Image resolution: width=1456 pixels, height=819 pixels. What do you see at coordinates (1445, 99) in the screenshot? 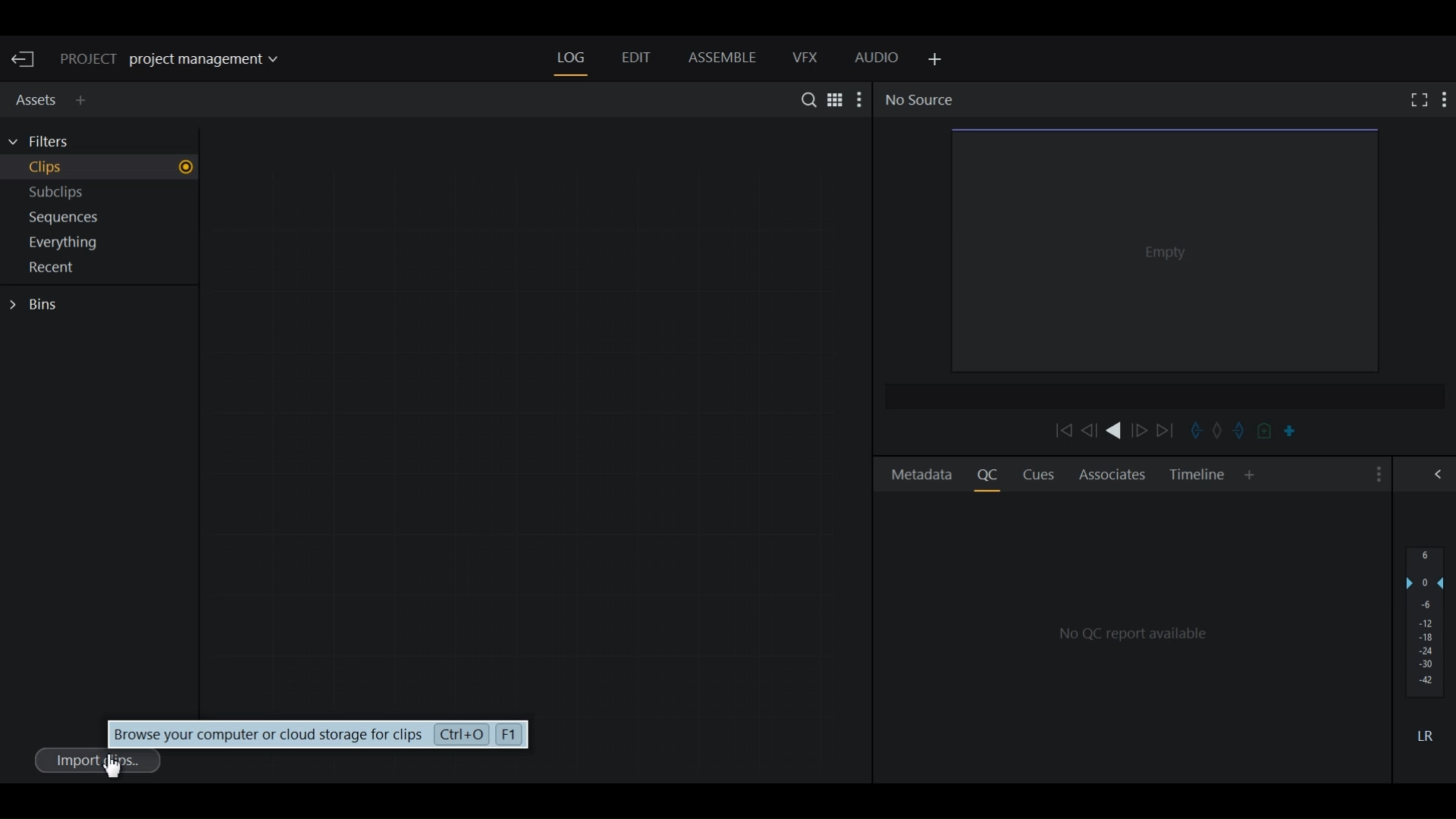
I see `Show settings menu` at bounding box center [1445, 99].